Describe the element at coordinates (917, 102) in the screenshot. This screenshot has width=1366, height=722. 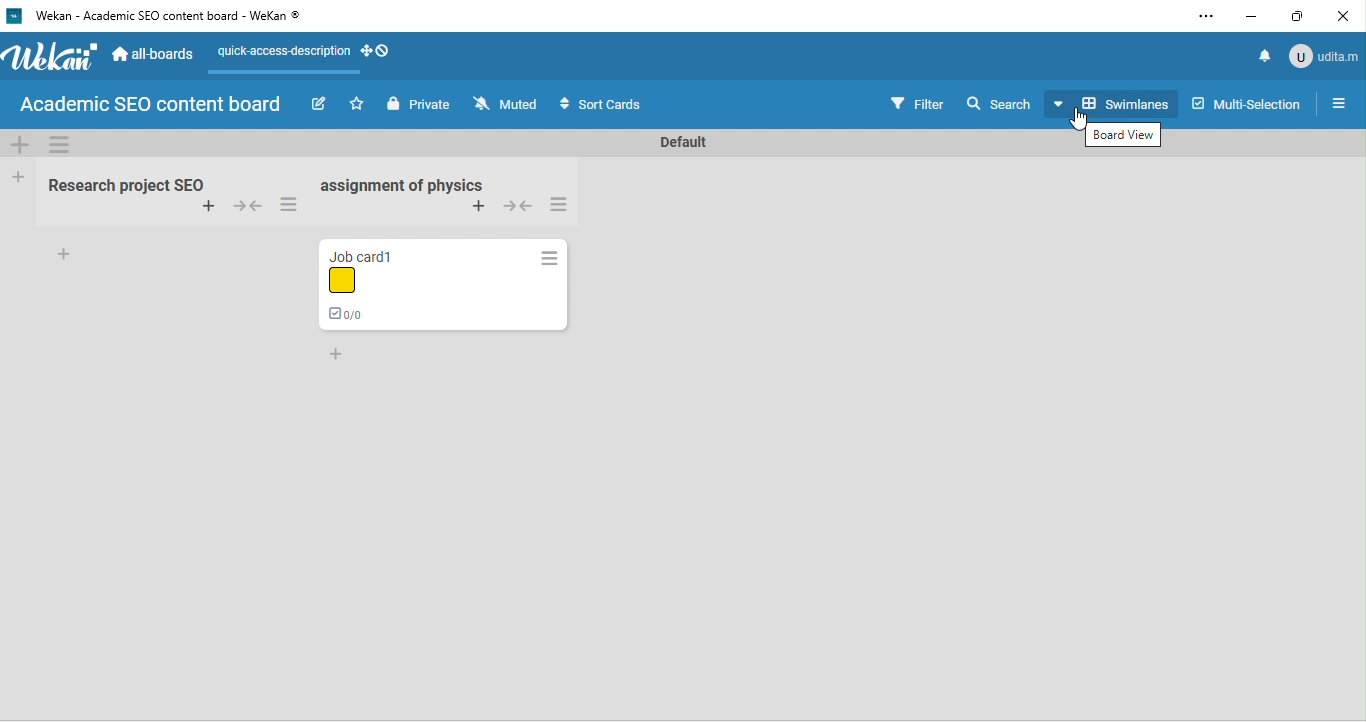
I see `filter` at that location.